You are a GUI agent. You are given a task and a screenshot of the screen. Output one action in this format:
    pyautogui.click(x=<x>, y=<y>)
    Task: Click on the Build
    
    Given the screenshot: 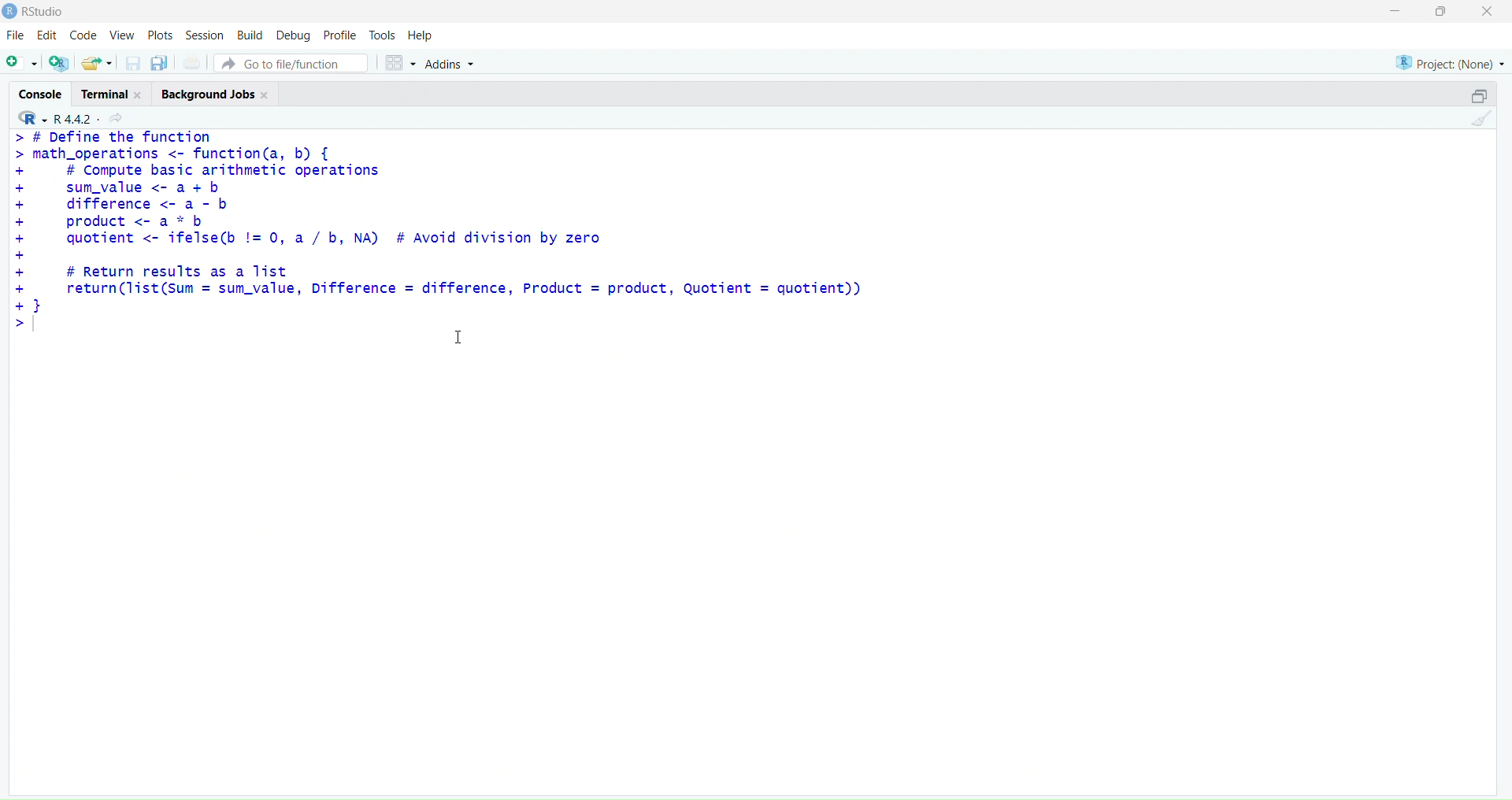 What is the action you would take?
    pyautogui.click(x=246, y=35)
    